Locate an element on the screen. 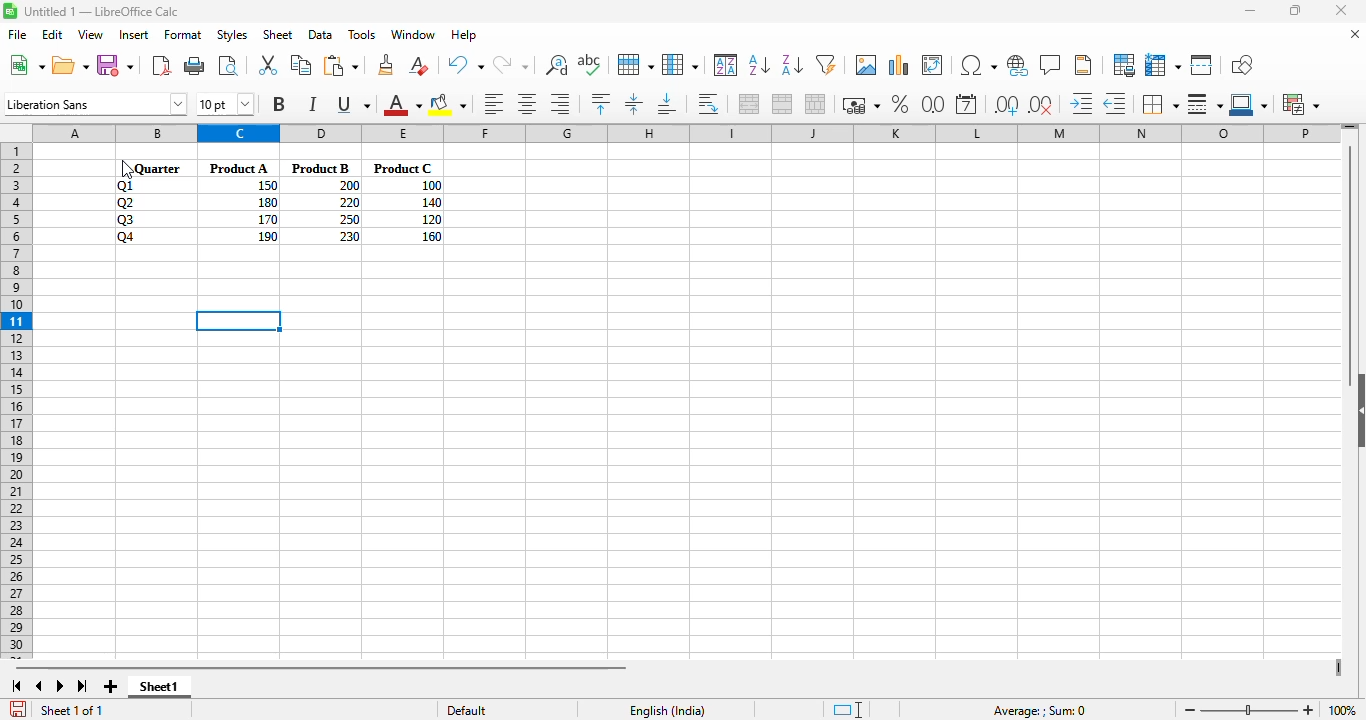 The height and width of the screenshot is (720, 1366). save is located at coordinates (115, 66).